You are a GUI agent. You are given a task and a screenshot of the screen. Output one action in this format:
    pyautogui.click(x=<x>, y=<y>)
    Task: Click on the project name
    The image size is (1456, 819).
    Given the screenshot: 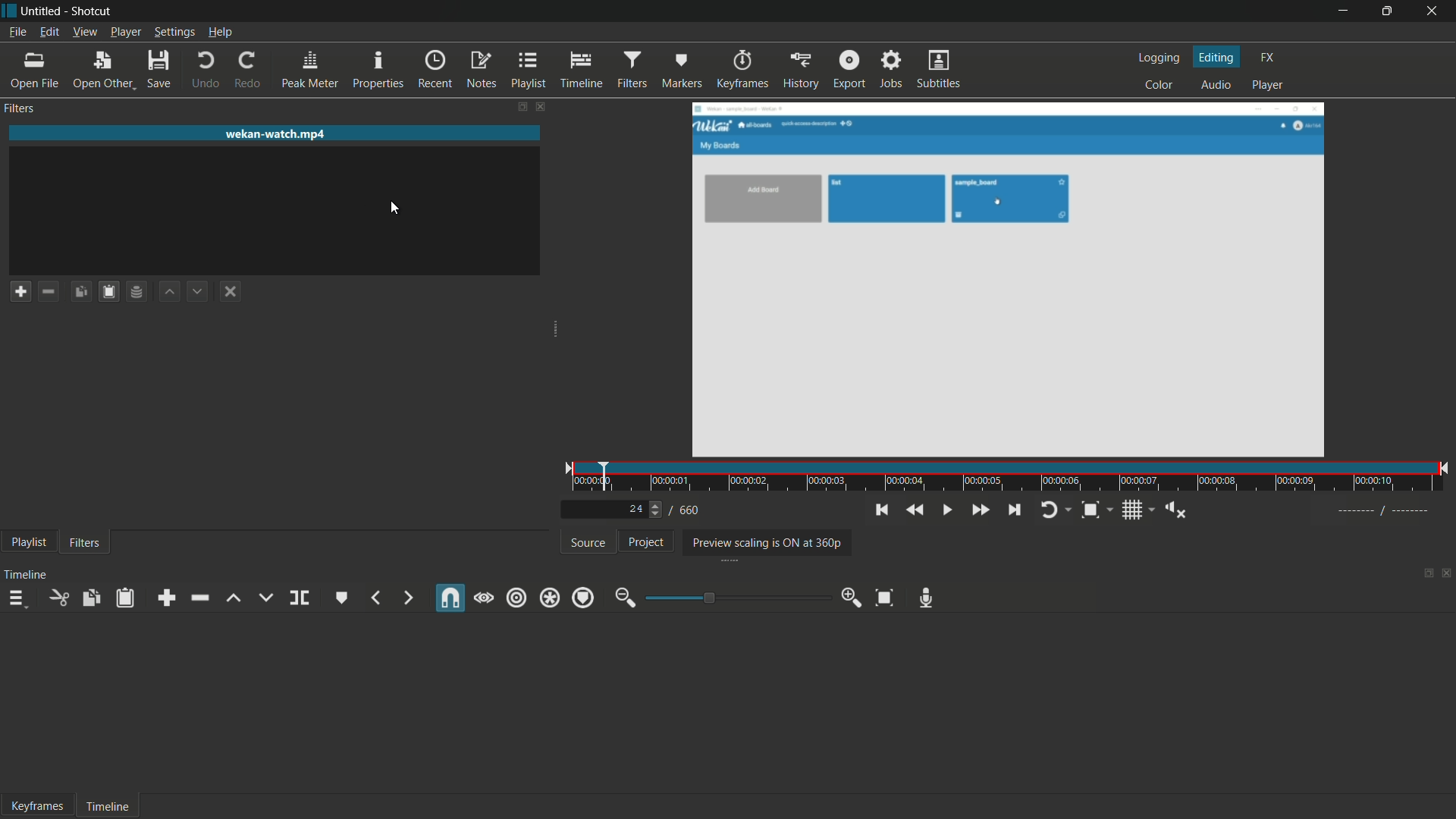 What is the action you would take?
    pyautogui.click(x=43, y=11)
    